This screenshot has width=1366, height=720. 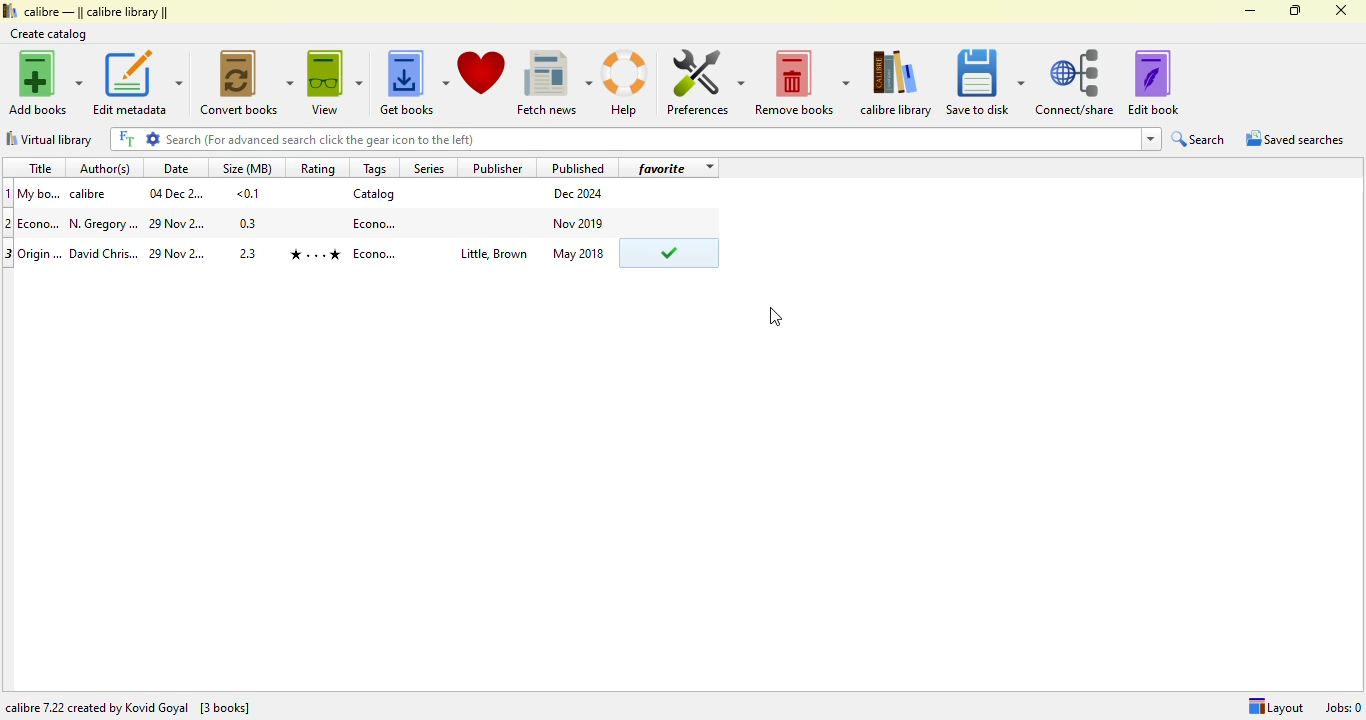 I want to click on title, so click(x=39, y=168).